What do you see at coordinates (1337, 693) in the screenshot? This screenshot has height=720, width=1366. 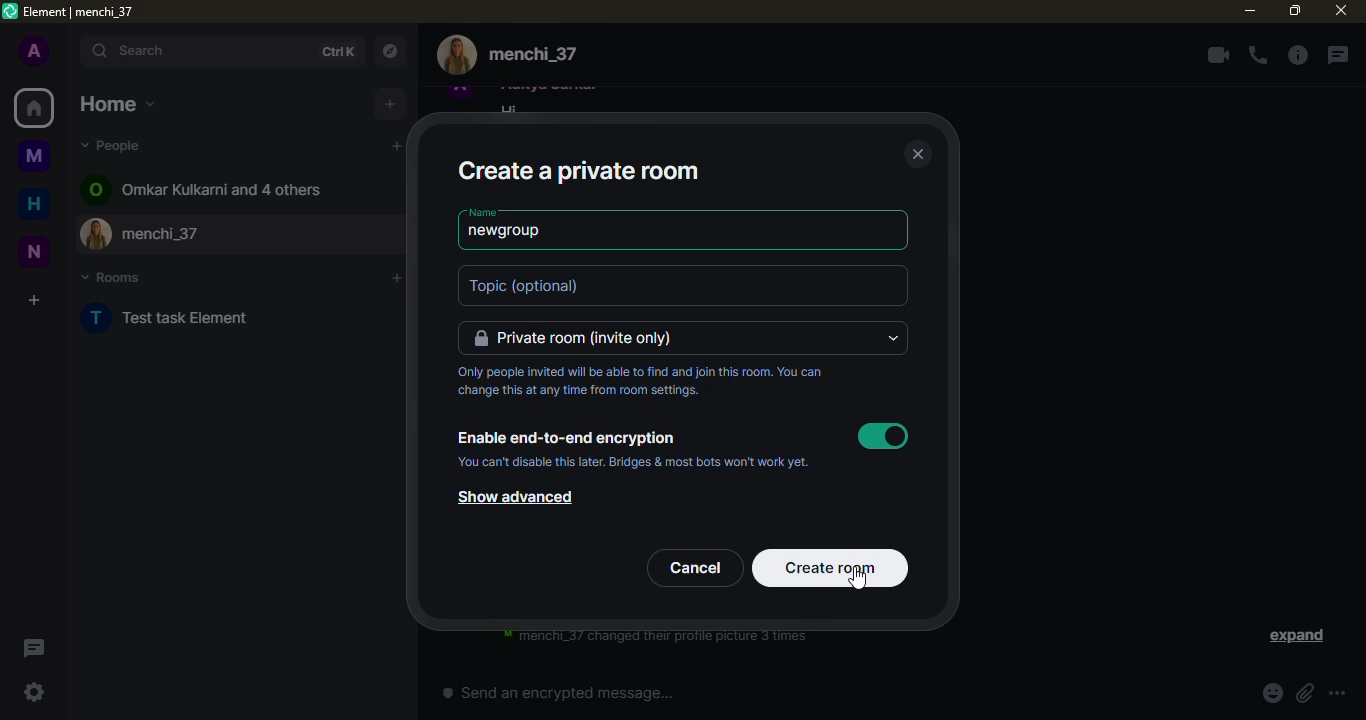 I see `more settings` at bounding box center [1337, 693].